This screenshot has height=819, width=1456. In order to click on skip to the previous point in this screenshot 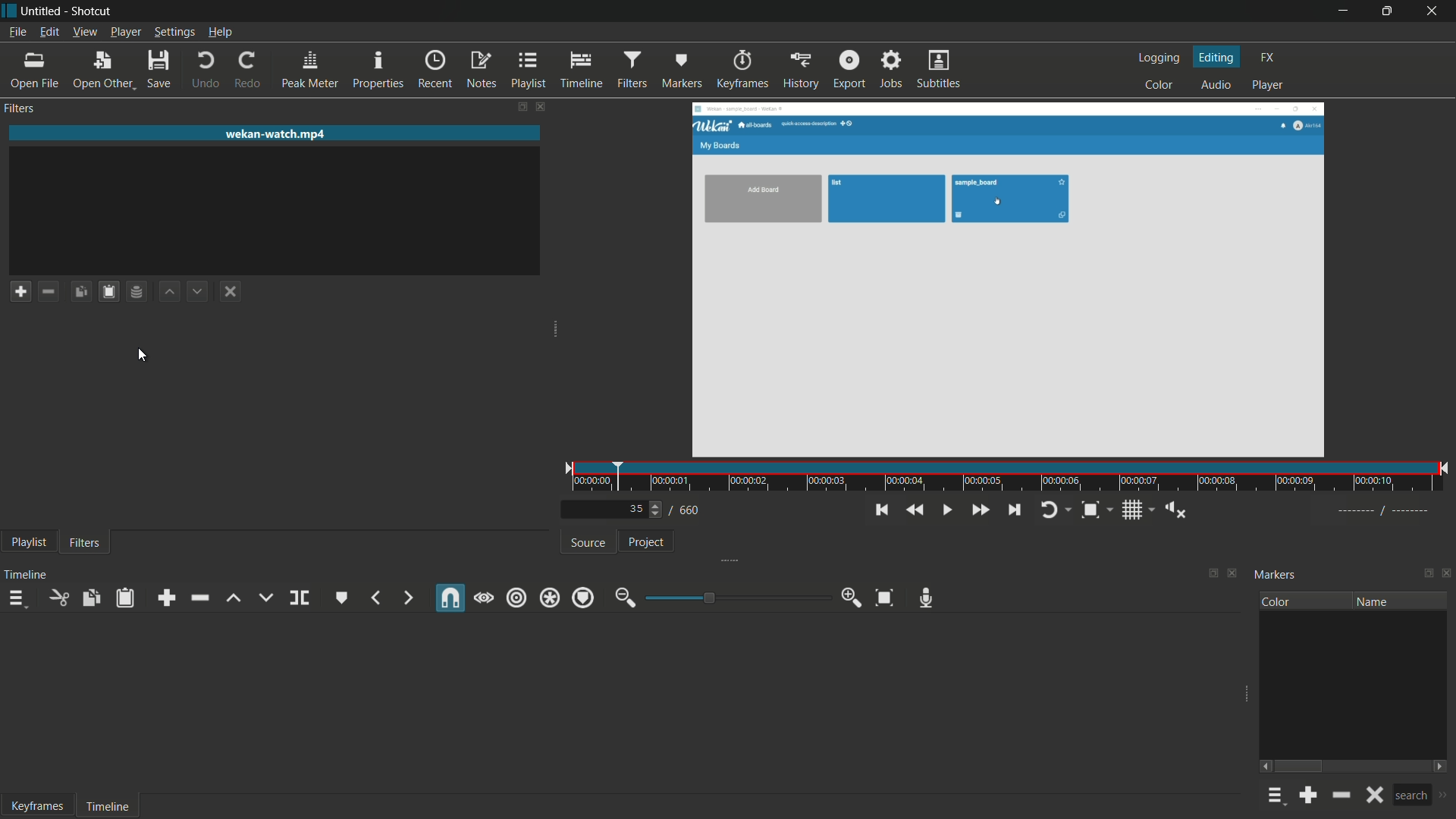, I will do `click(880, 510)`.